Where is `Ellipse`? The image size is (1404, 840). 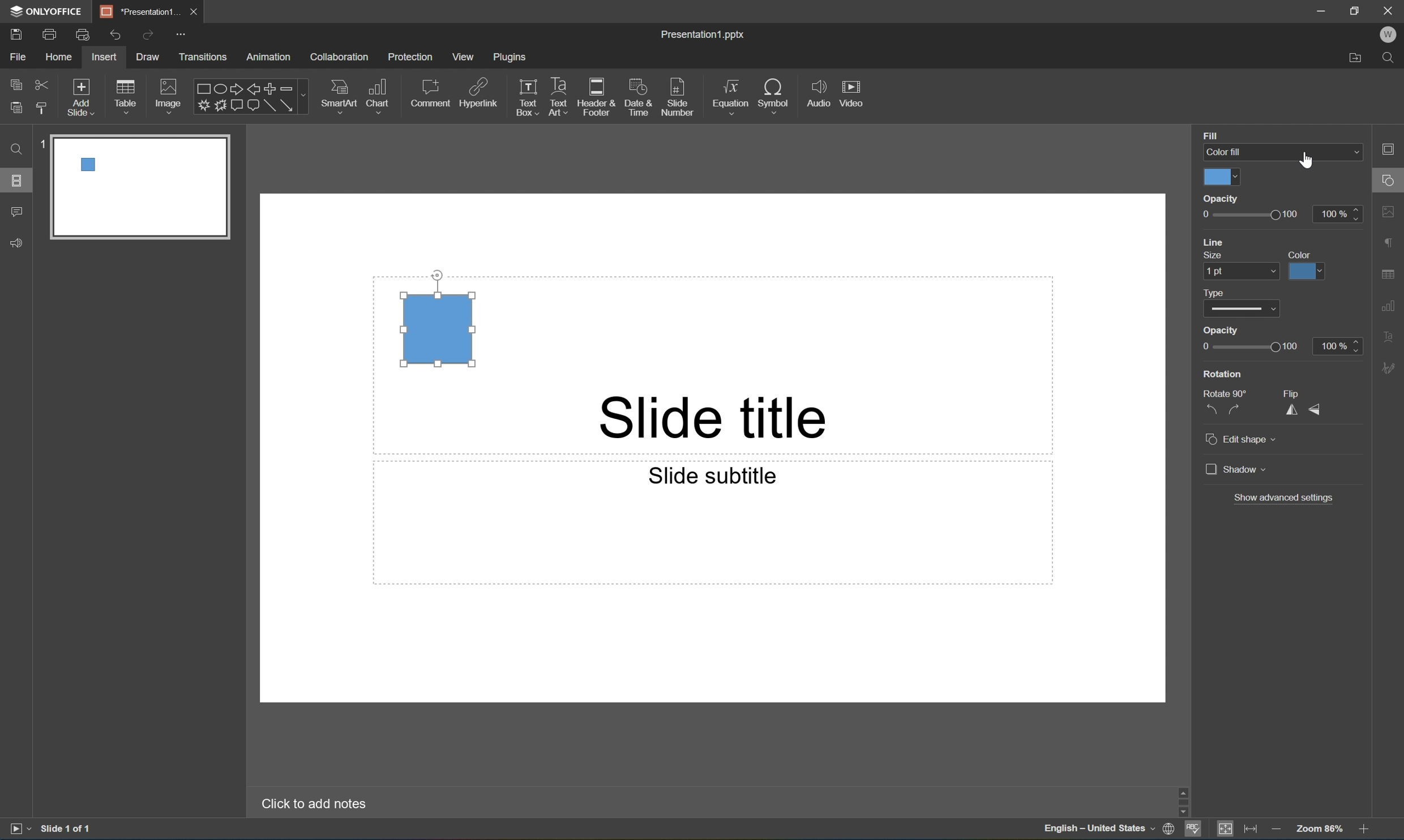 Ellipse is located at coordinates (219, 90).